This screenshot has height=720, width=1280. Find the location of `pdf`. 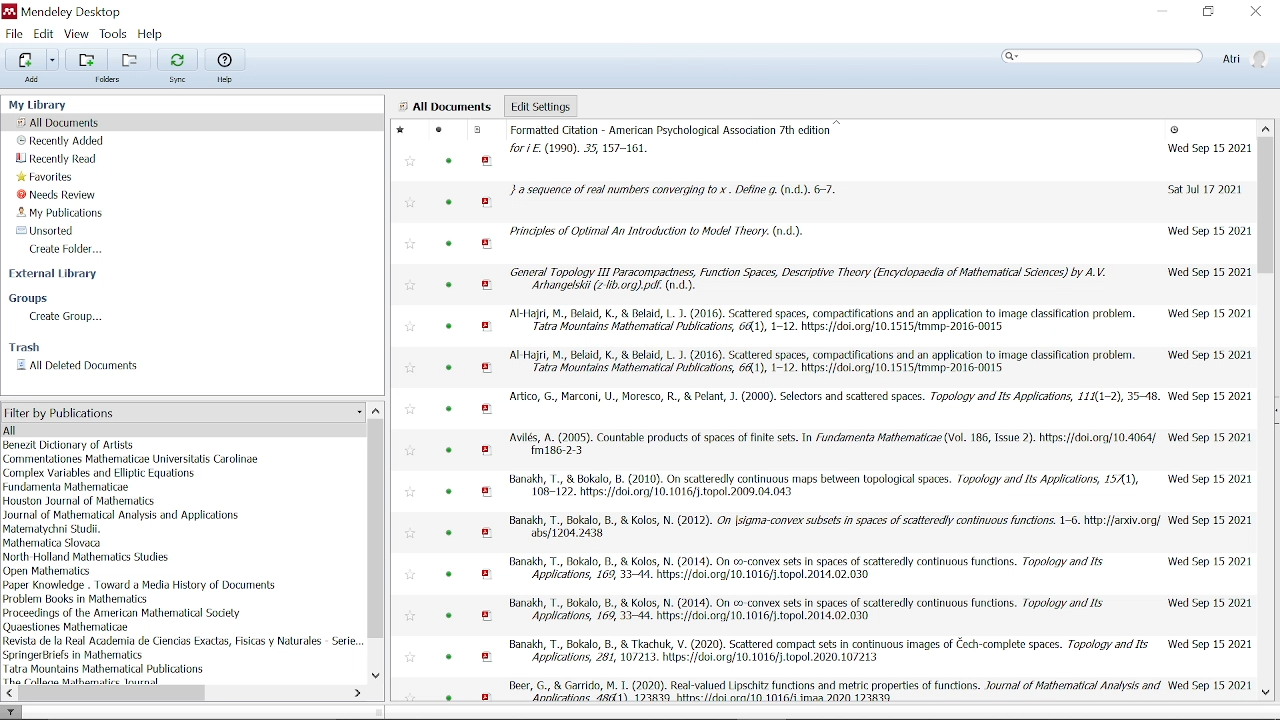

pdf is located at coordinates (488, 369).